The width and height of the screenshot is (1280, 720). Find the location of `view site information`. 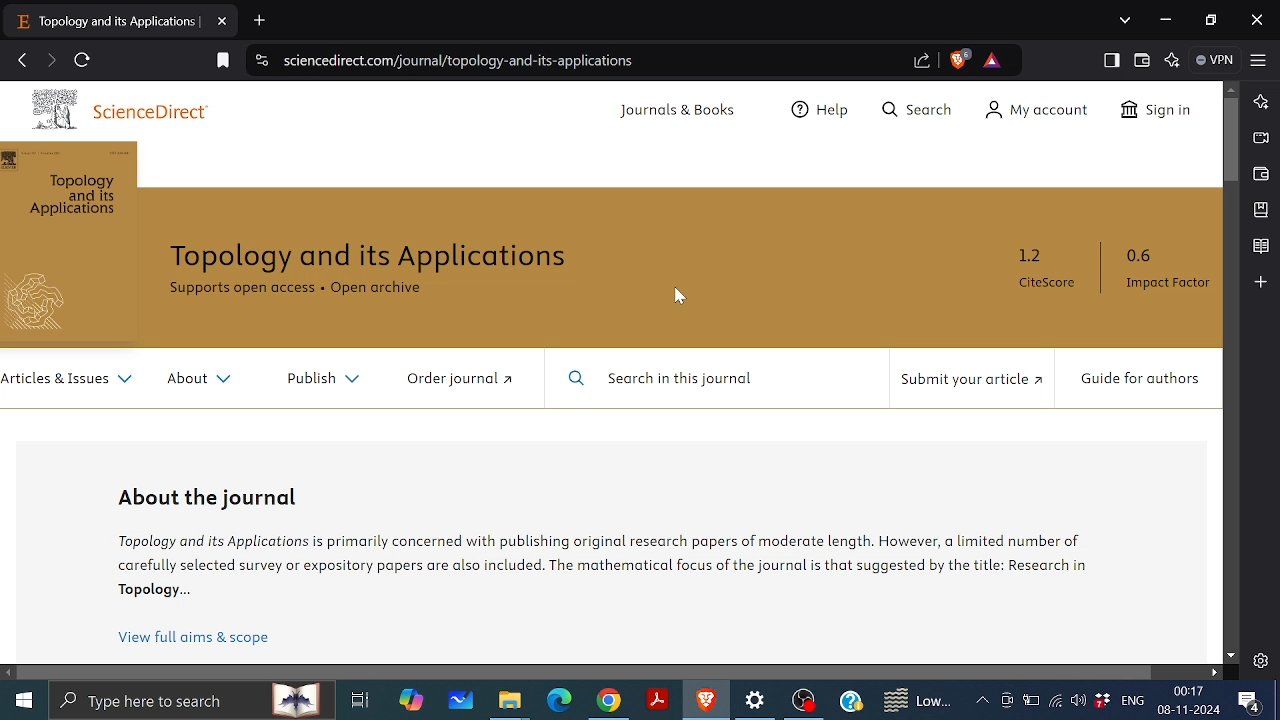

view site information is located at coordinates (260, 61).